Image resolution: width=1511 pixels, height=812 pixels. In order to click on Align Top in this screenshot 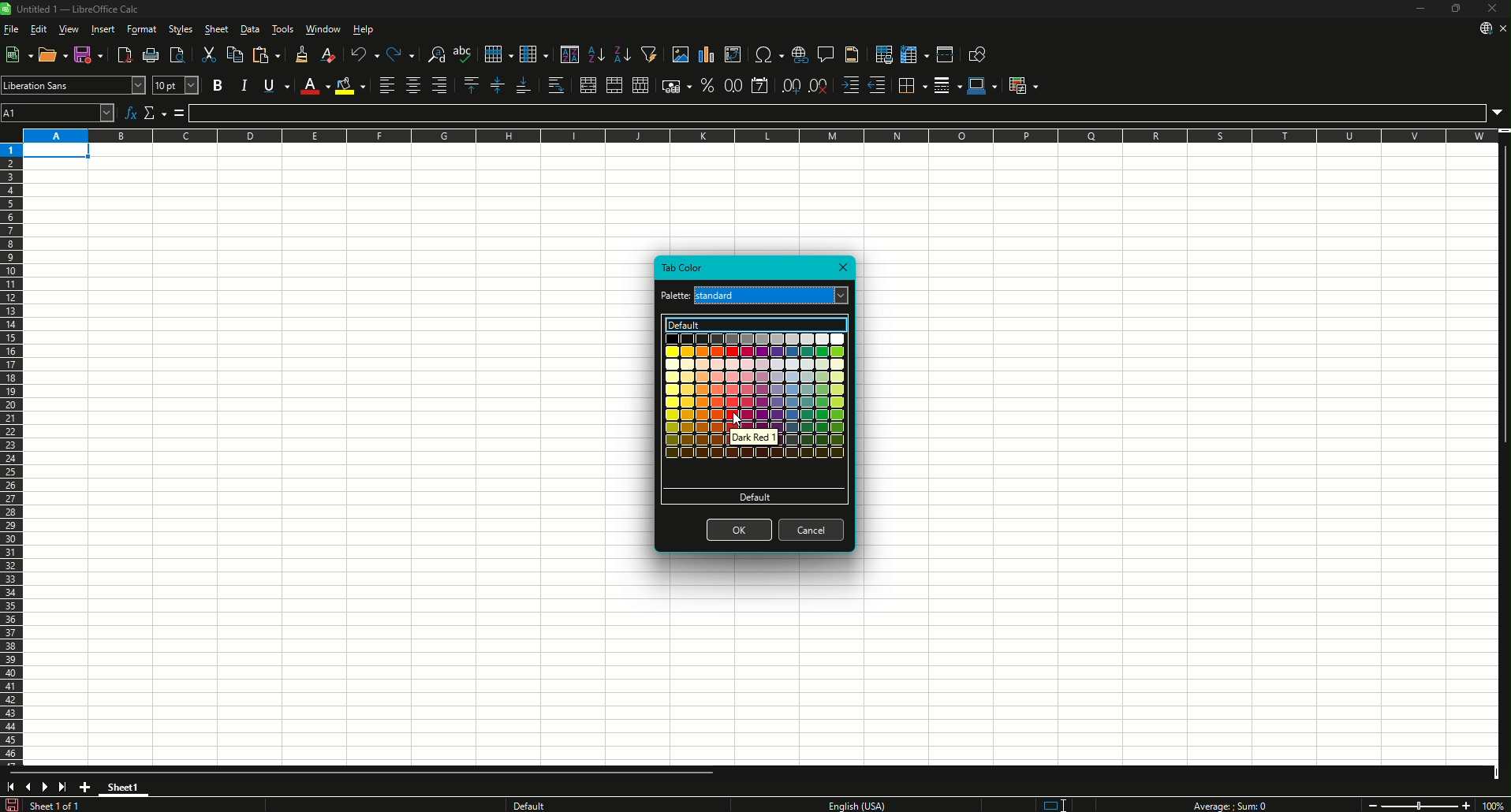, I will do `click(472, 85)`.